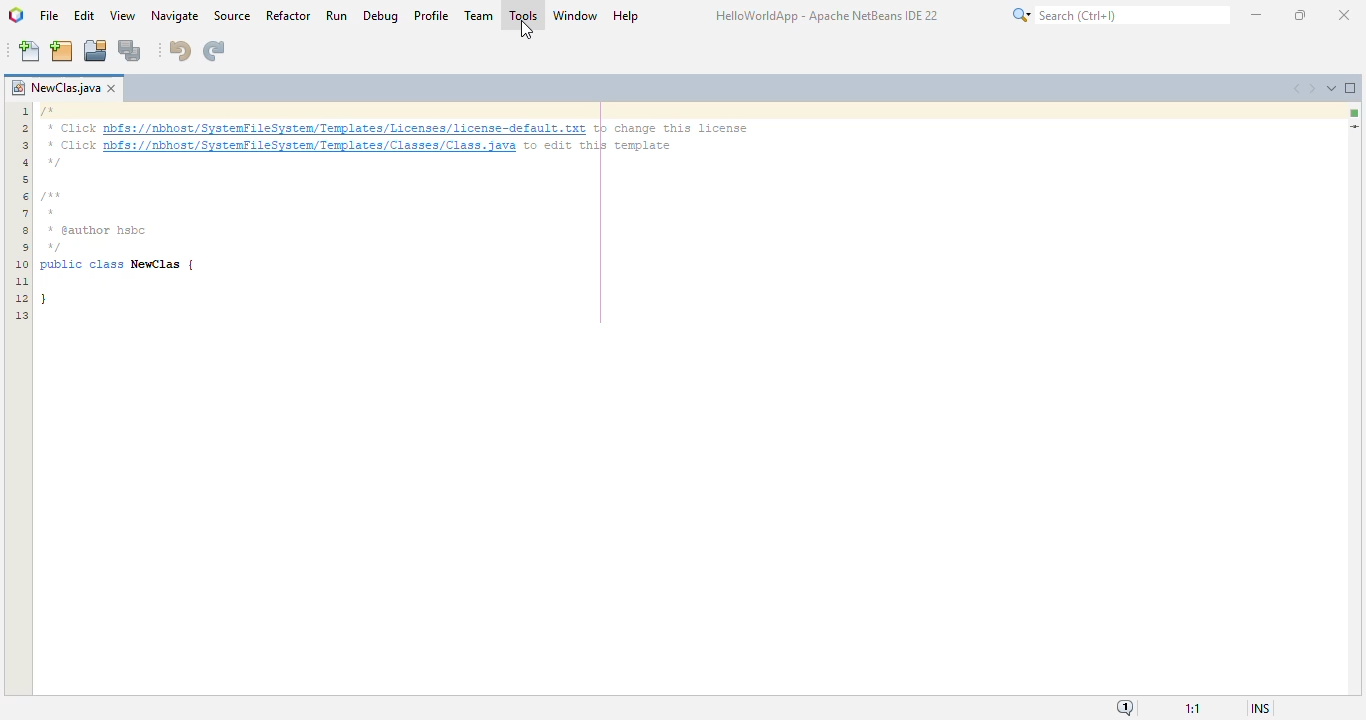  What do you see at coordinates (479, 15) in the screenshot?
I see `team` at bounding box center [479, 15].